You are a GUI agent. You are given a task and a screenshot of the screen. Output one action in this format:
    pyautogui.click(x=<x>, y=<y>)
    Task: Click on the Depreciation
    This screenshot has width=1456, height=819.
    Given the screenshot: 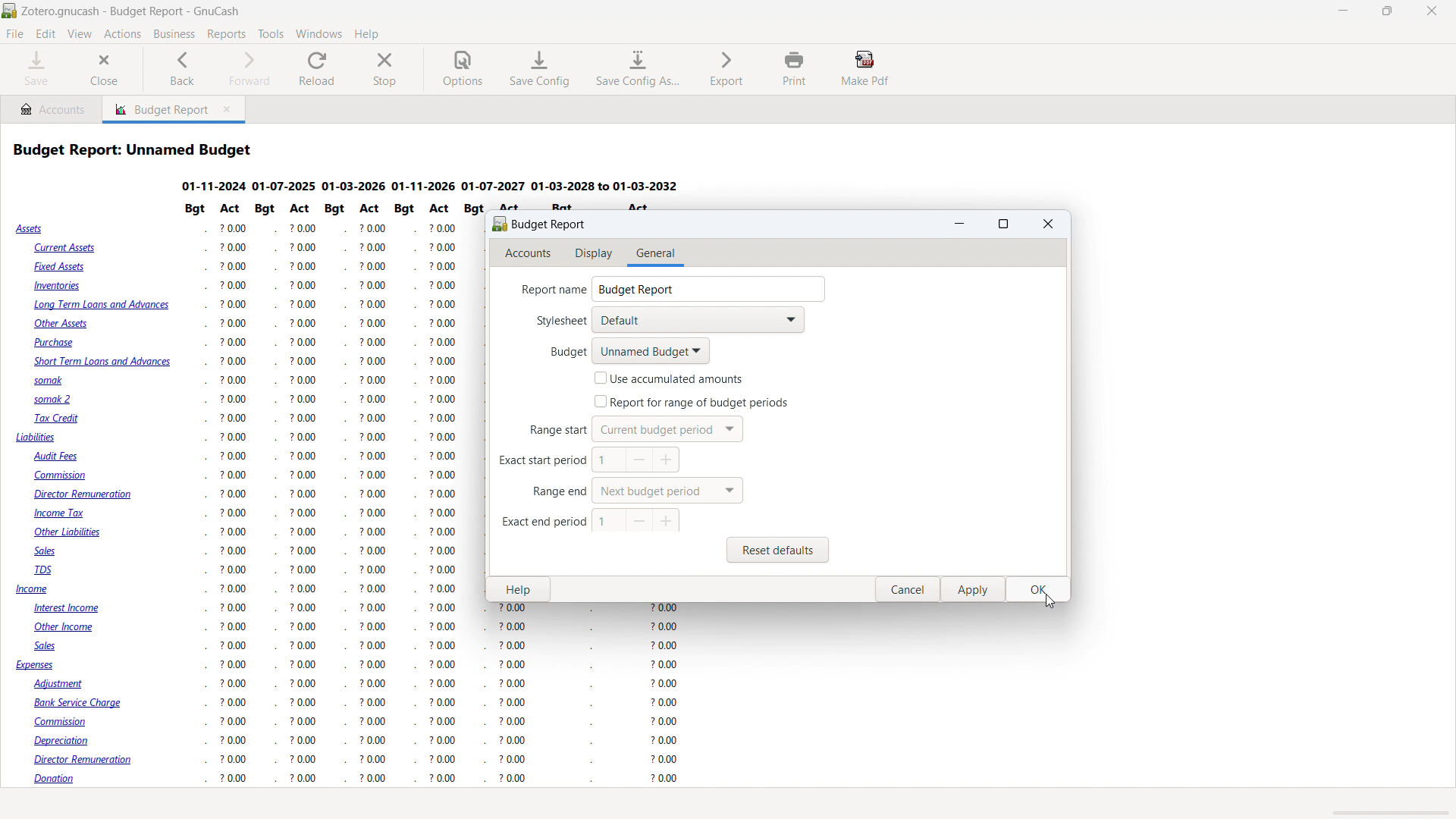 What is the action you would take?
    pyautogui.click(x=68, y=741)
    